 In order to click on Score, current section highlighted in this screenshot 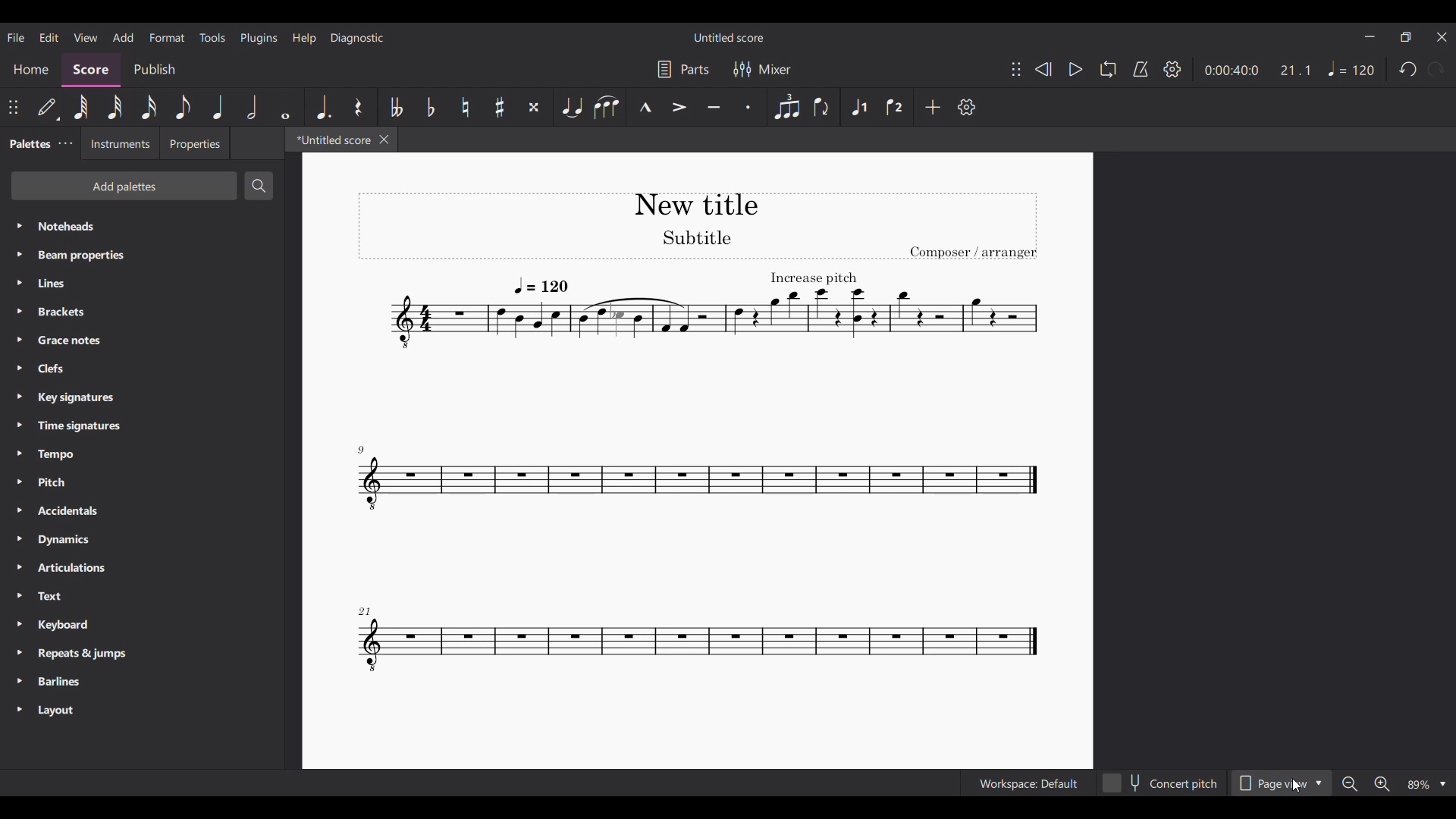, I will do `click(91, 70)`.